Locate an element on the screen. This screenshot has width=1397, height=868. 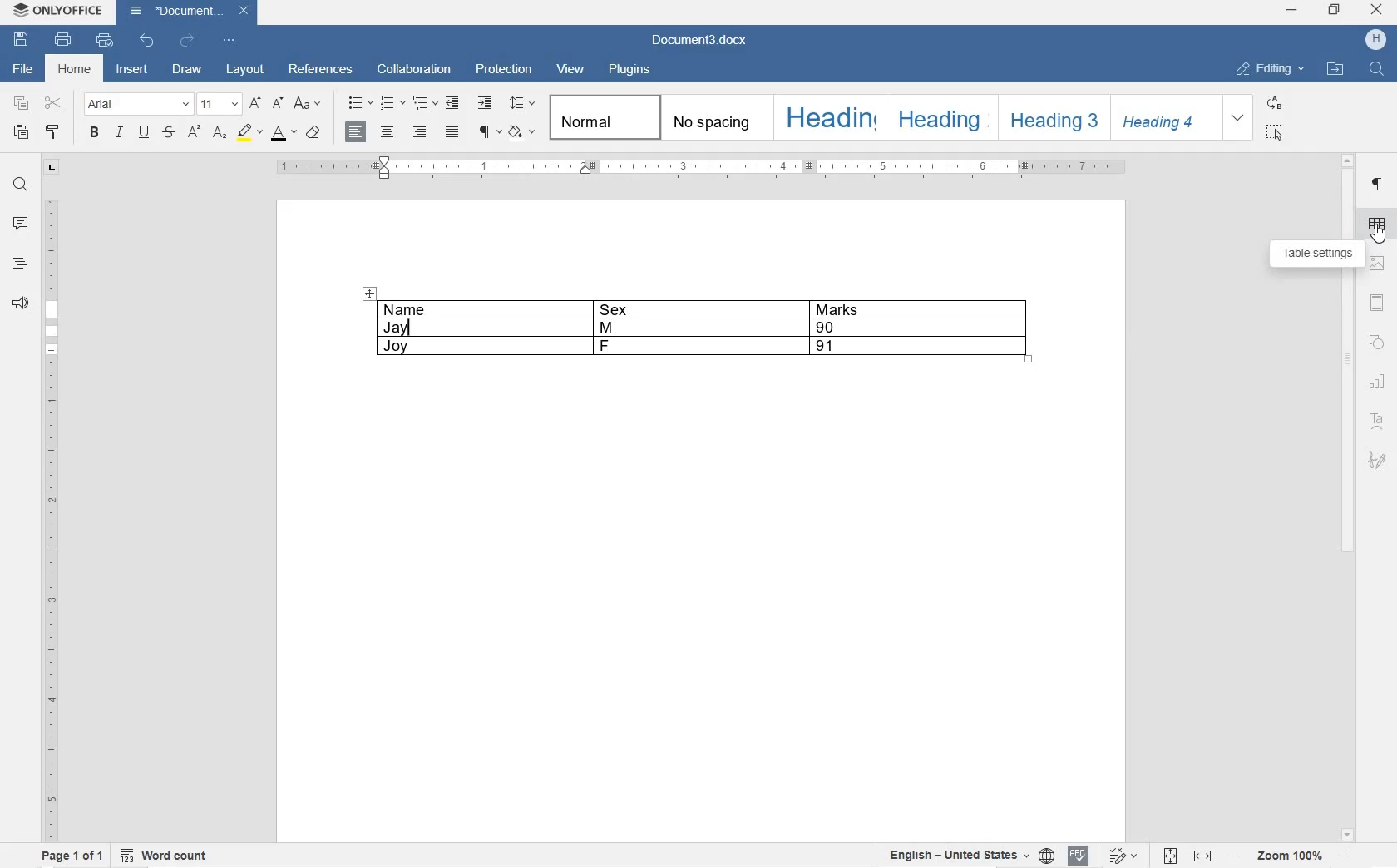
CLOSE is located at coordinates (1377, 9).